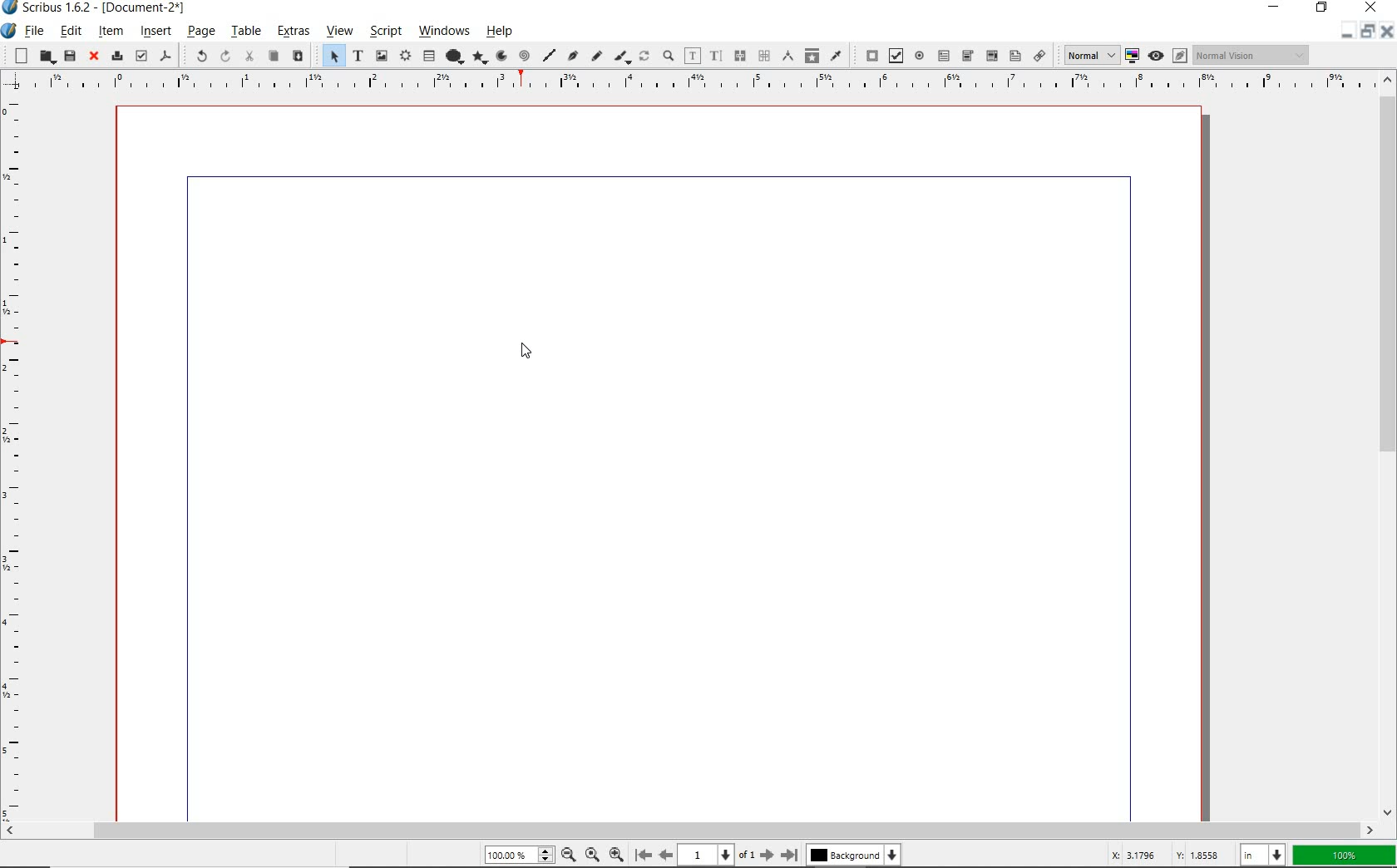  I want to click on v 1.8558, so click(1198, 852).